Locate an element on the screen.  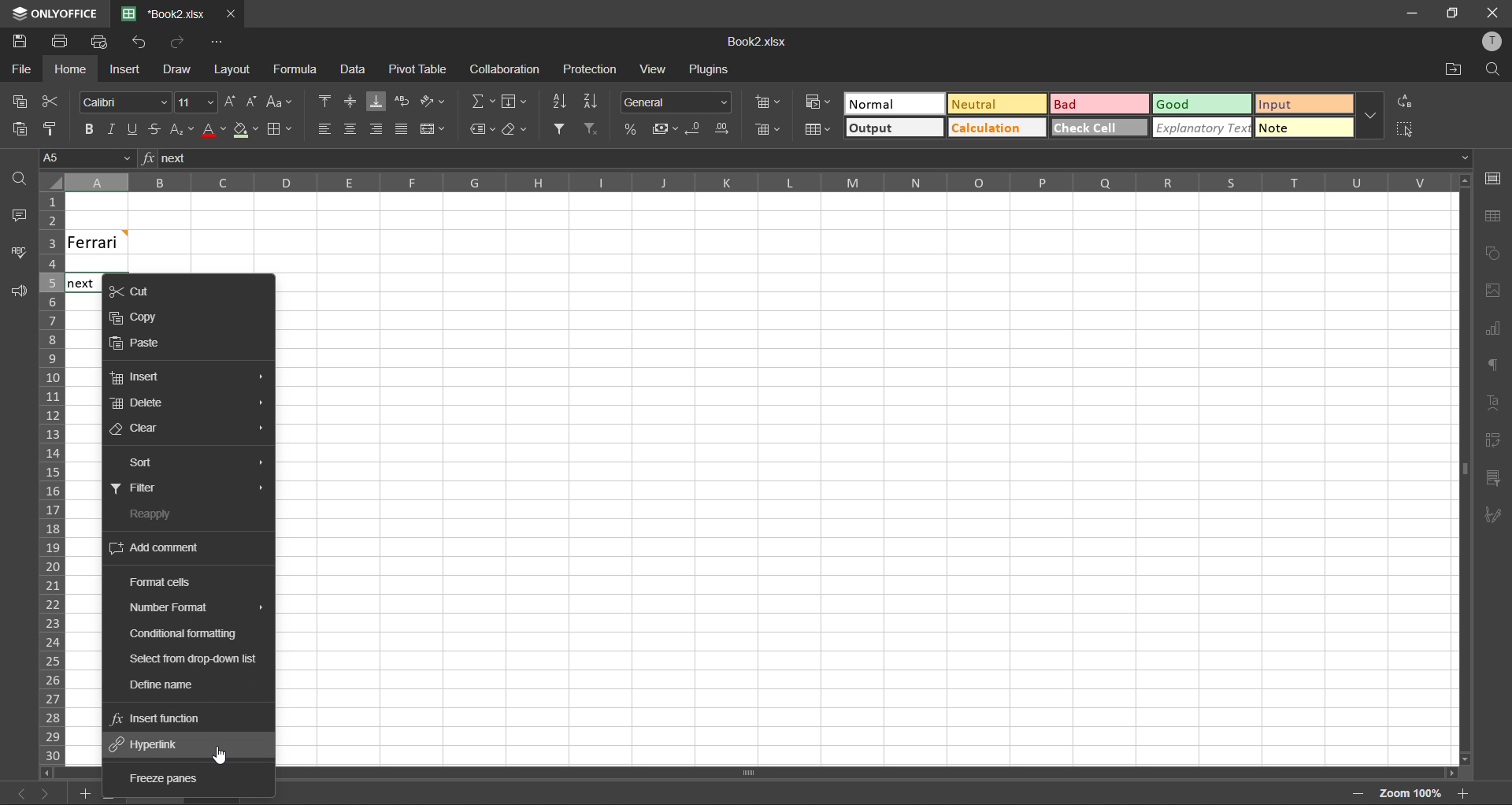
change case is located at coordinates (280, 102).